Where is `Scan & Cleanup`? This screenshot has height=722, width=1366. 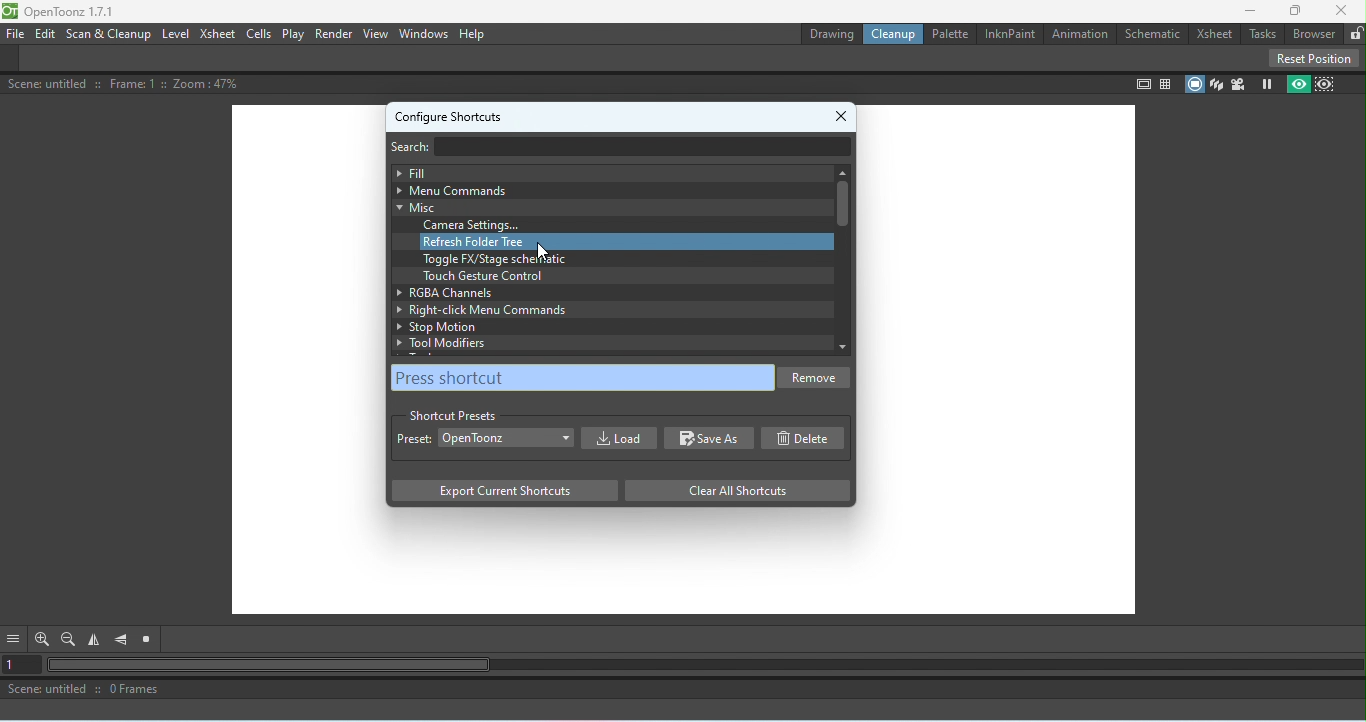 Scan & Cleanup is located at coordinates (109, 34).